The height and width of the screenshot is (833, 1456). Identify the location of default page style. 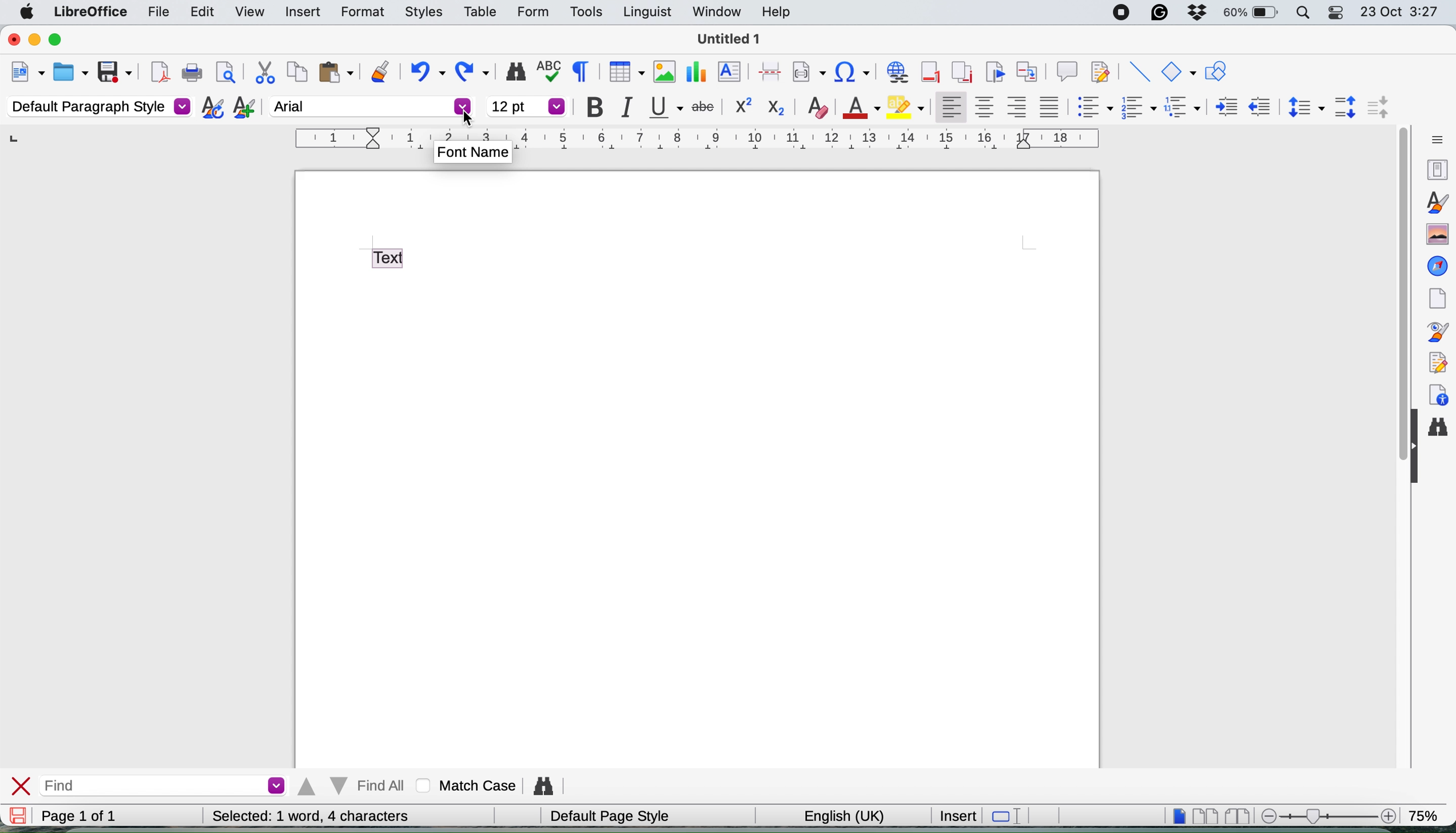
(607, 816).